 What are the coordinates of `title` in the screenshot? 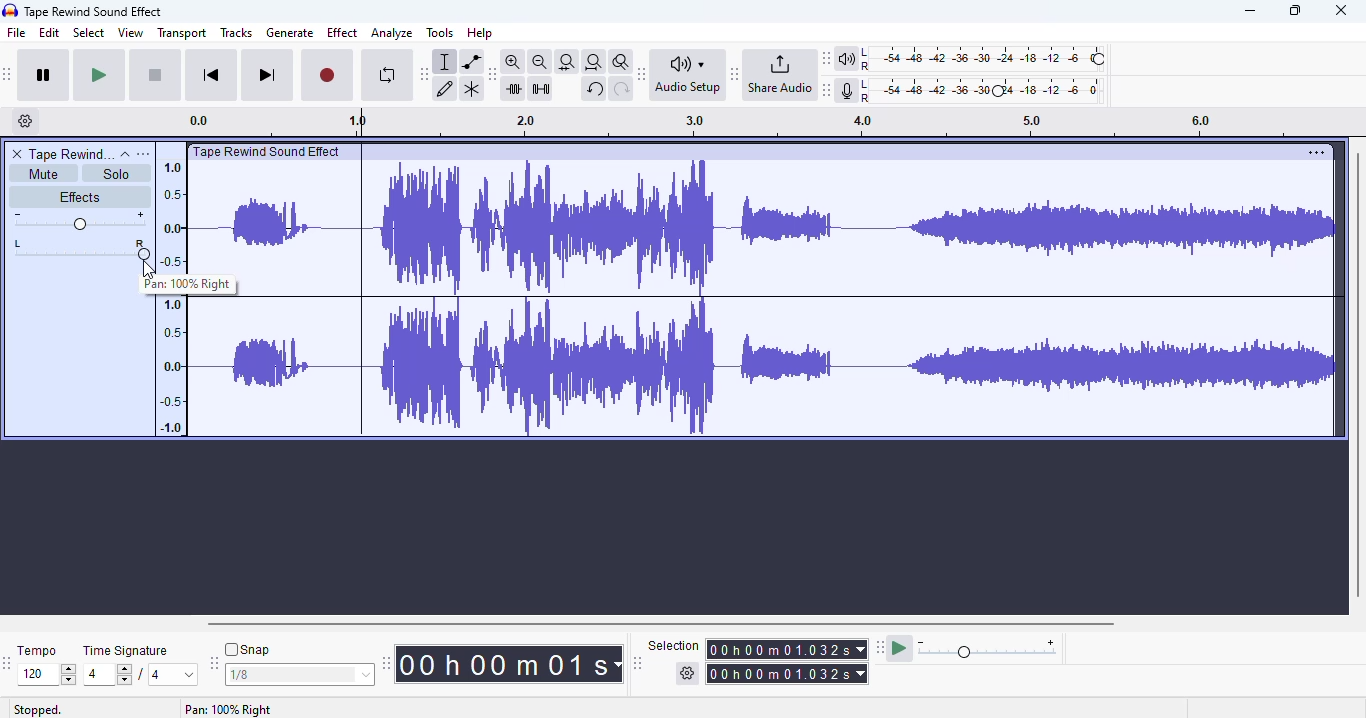 It's located at (94, 12).